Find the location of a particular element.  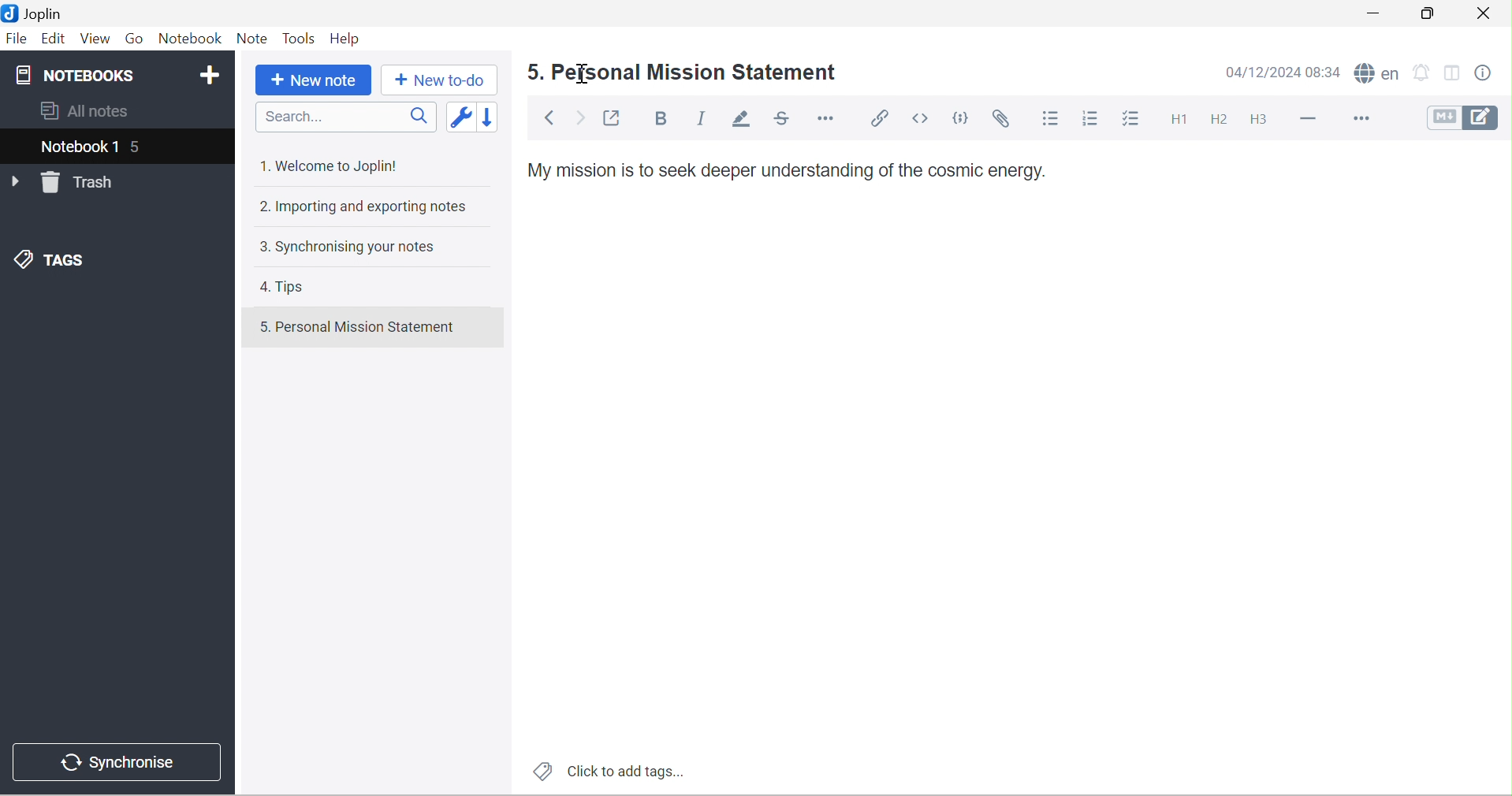

Toggle sort order field is located at coordinates (460, 120).